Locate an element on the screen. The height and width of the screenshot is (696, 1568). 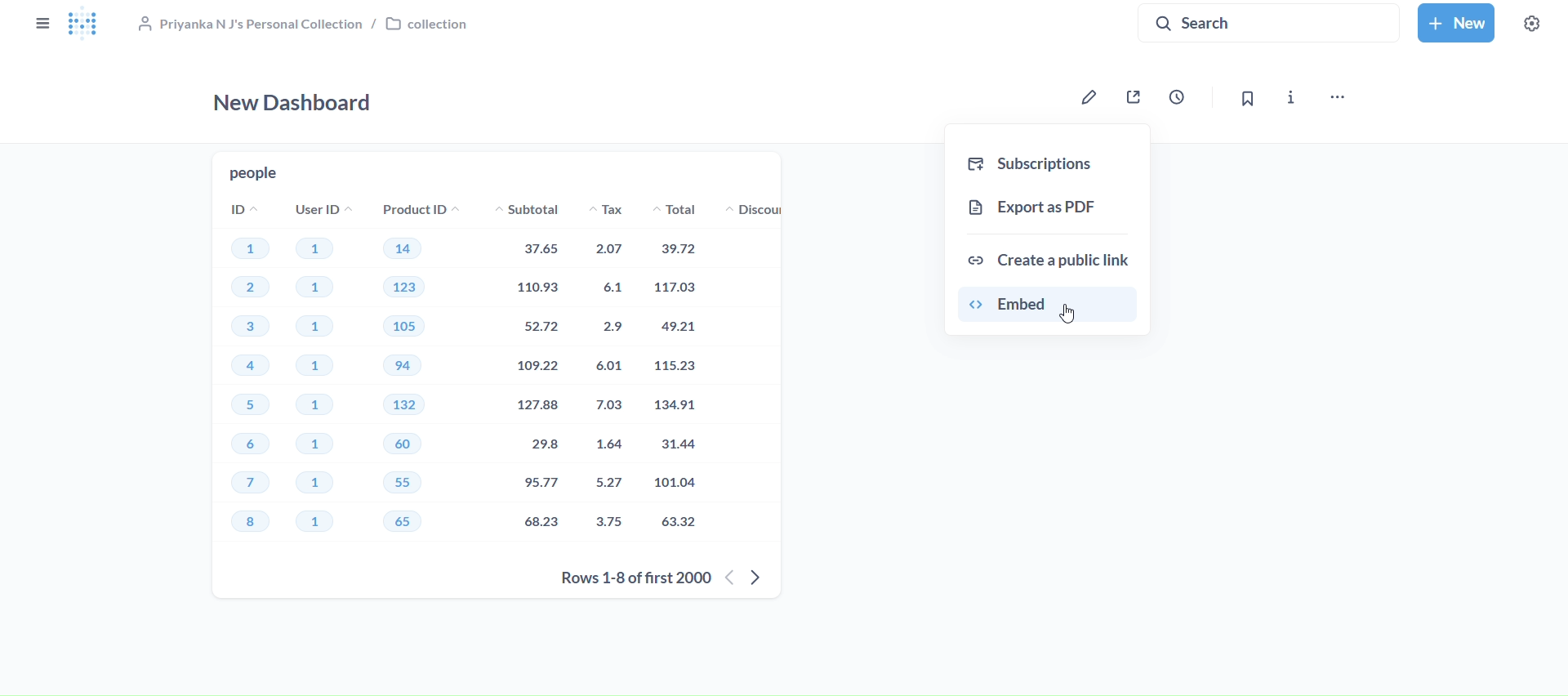
settings is located at coordinates (1531, 25).